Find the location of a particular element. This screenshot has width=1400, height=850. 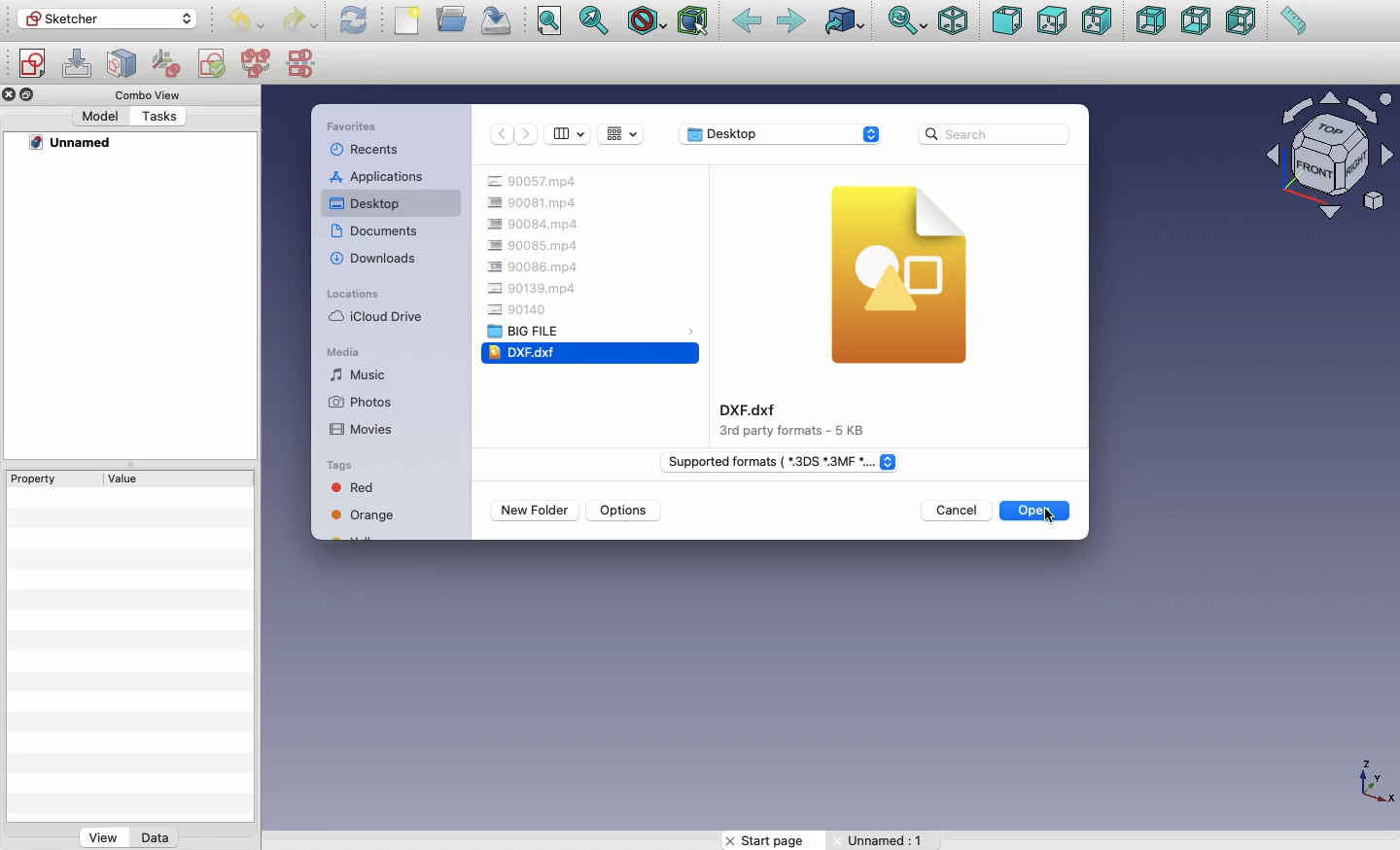

Front is located at coordinates (1006, 23).